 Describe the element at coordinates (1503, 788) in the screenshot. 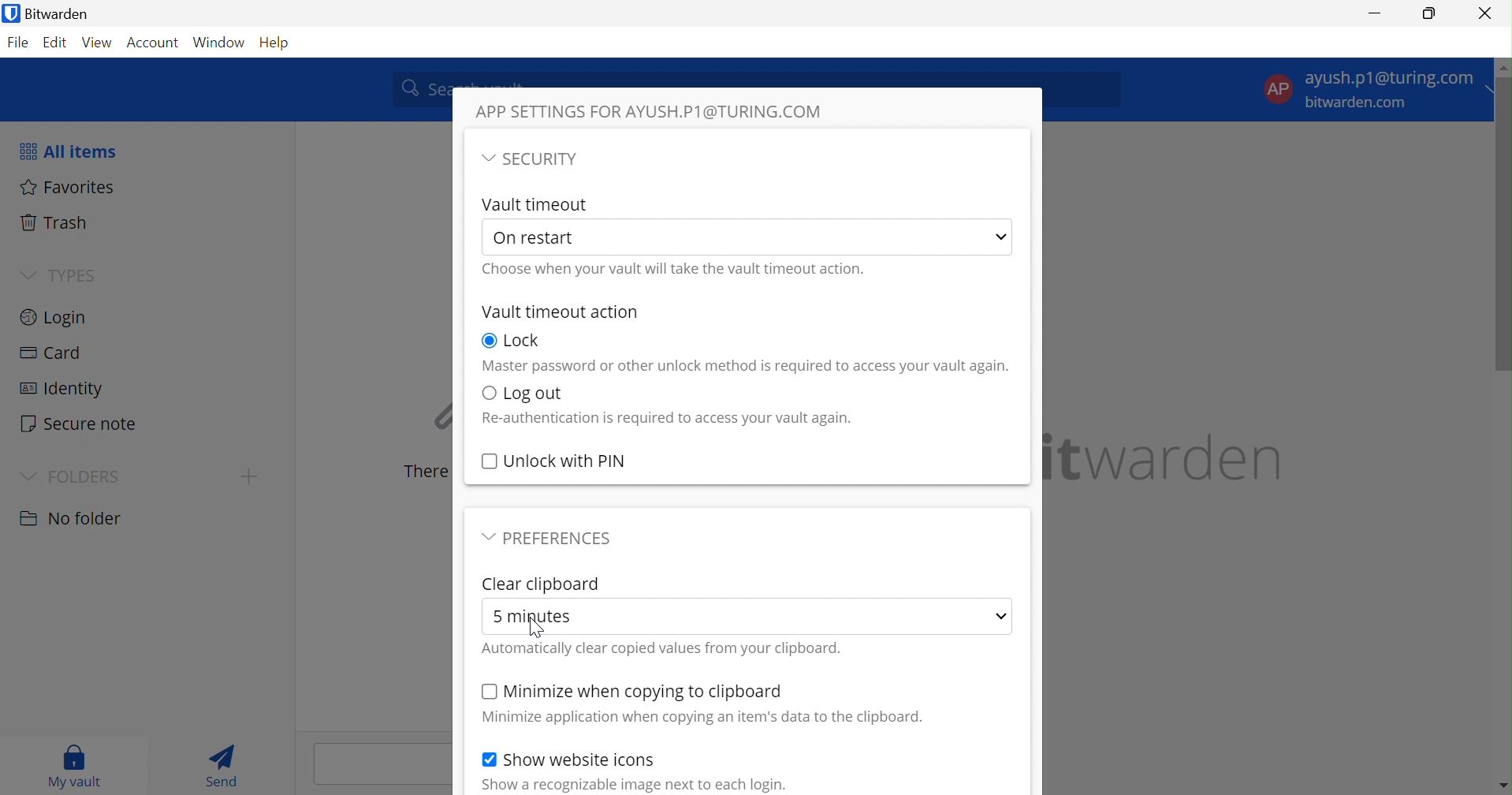

I see `move down` at that location.